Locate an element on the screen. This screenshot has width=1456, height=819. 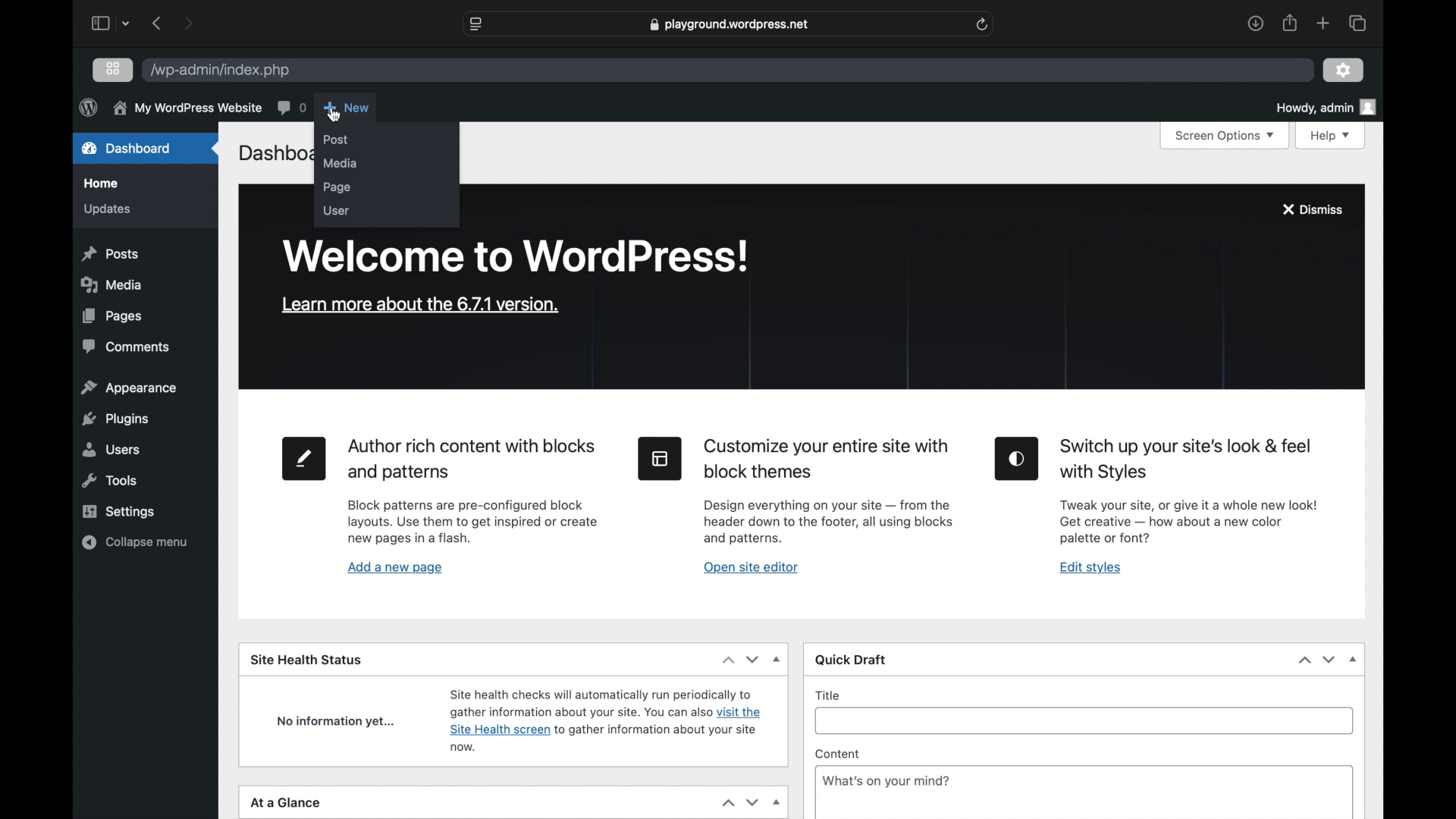
tools is located at coordinates (108, 482).